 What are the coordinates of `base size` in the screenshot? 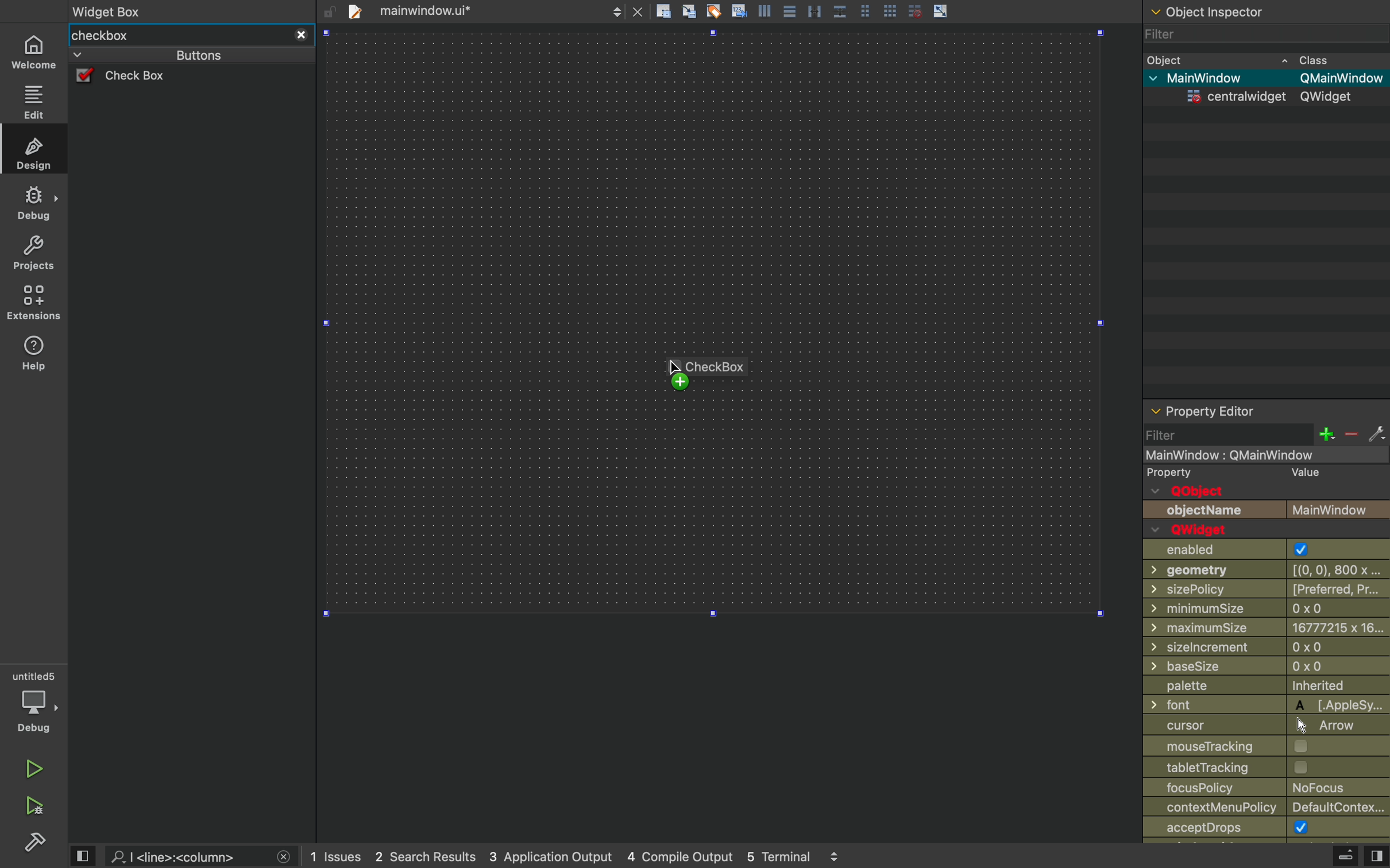 It's located at (1268, 668).